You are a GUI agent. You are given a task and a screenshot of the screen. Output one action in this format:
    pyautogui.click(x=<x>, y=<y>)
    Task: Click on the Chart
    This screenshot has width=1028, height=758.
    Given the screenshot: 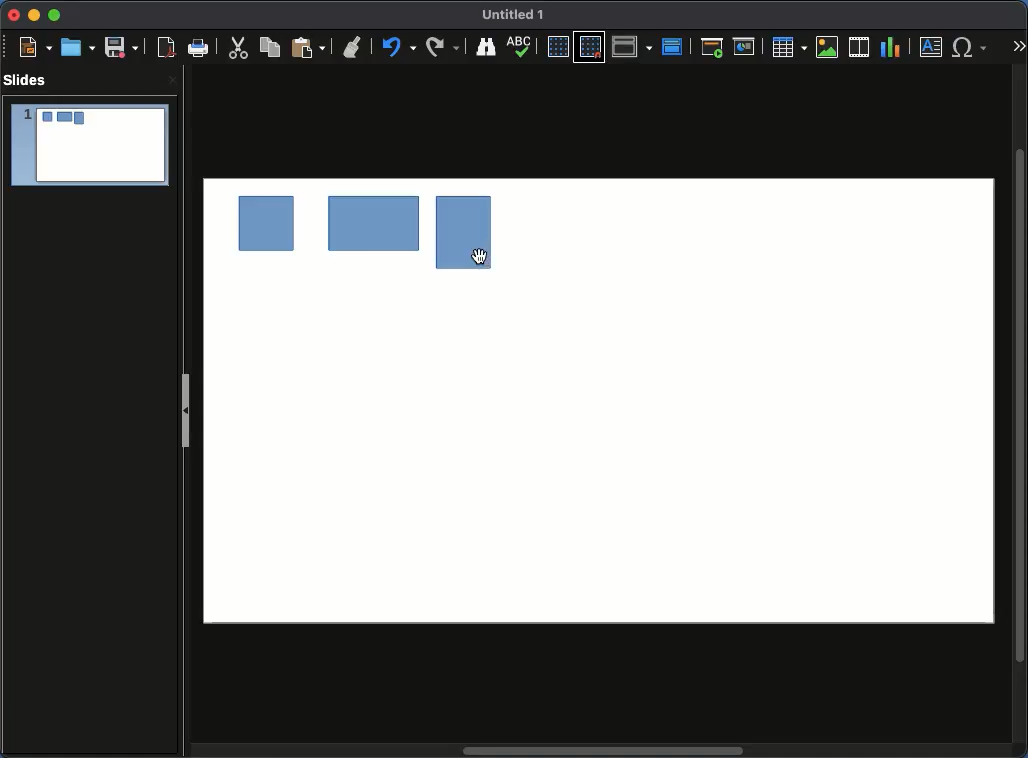 What is the action you would take?
    pyautogui.click(x=892, y=48)
    